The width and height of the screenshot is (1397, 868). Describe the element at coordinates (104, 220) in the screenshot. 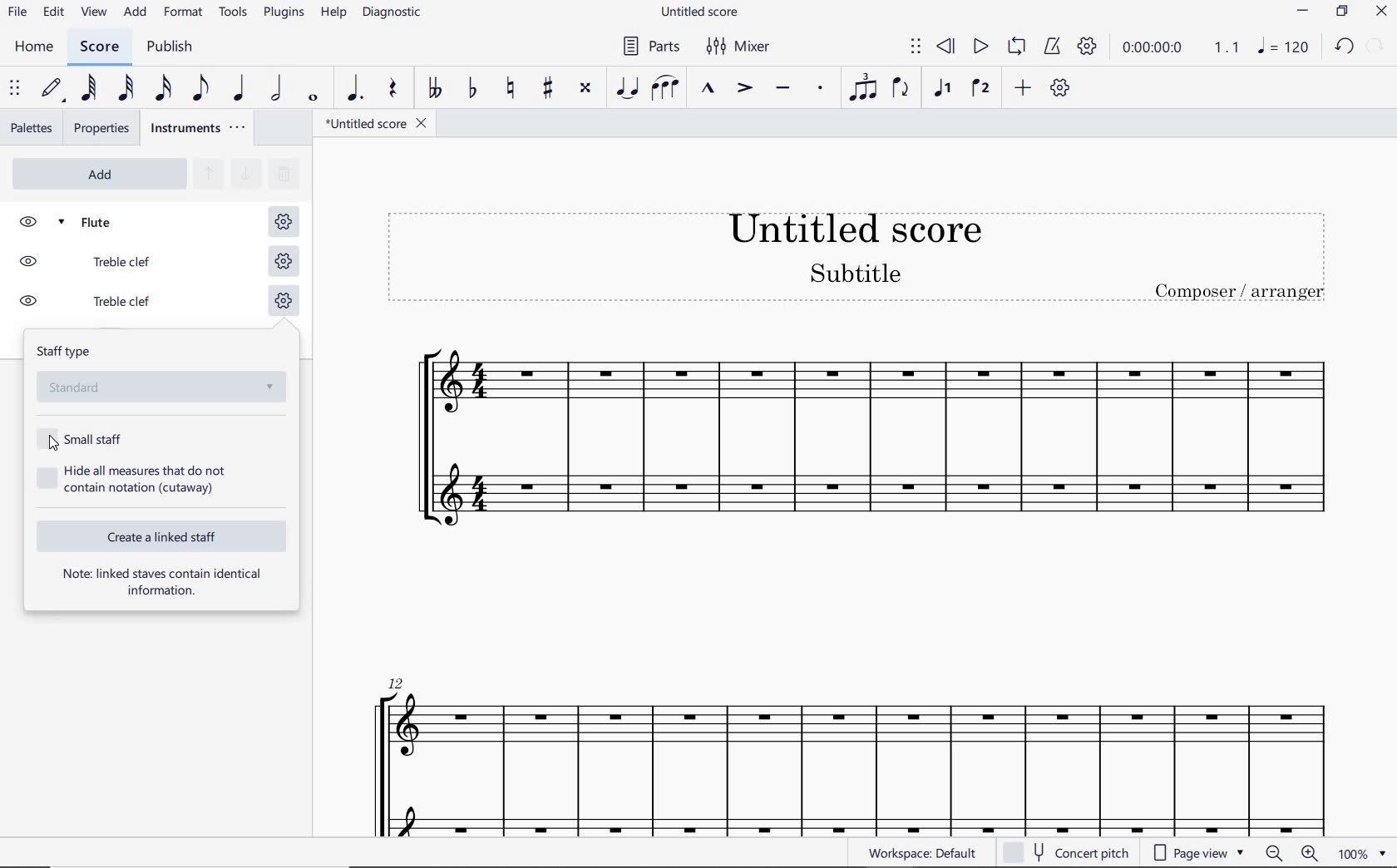

I see `FLUTE` at that location.